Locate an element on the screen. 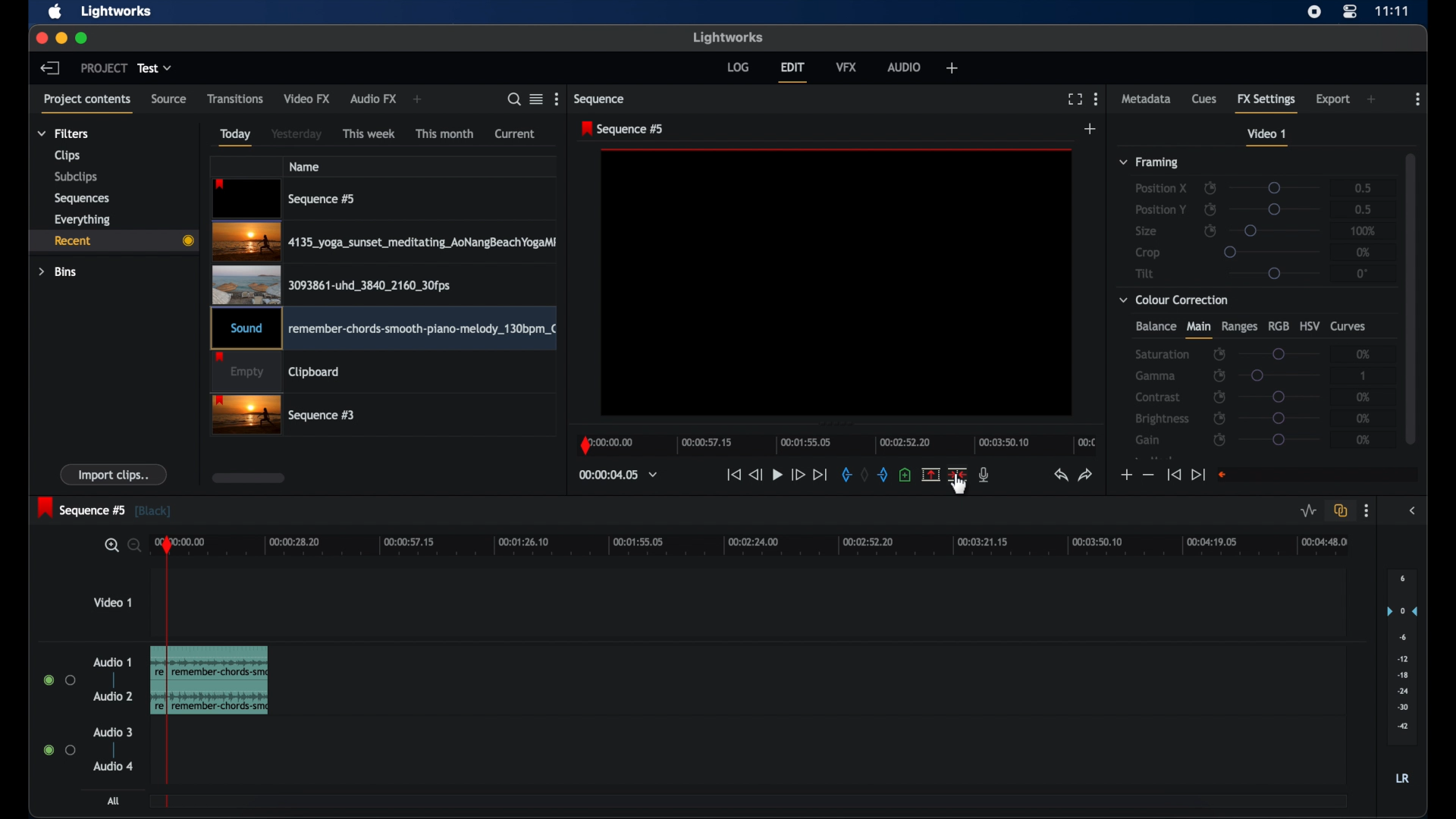 This screenshot has height=819, width=1456. audio clip is located at coordinates (383, 330).